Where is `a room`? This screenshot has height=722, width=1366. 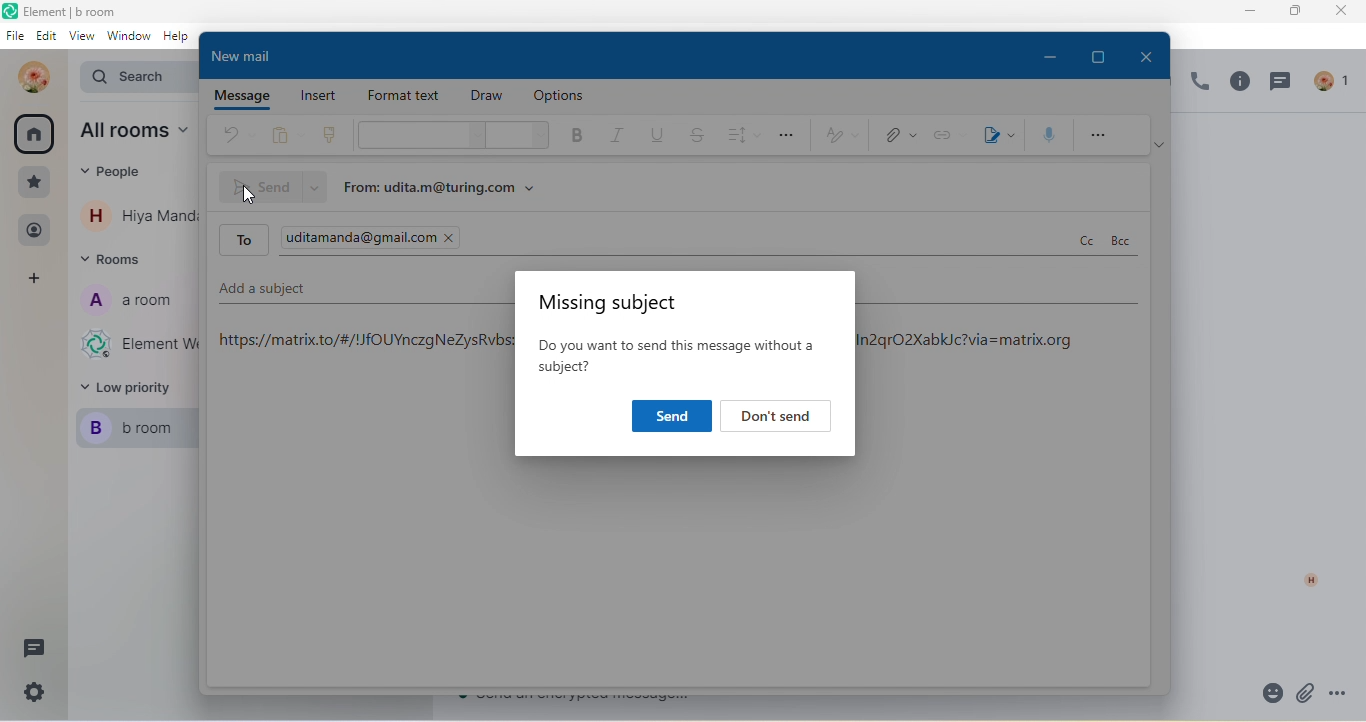 a room is located at coordinates (130, 305).